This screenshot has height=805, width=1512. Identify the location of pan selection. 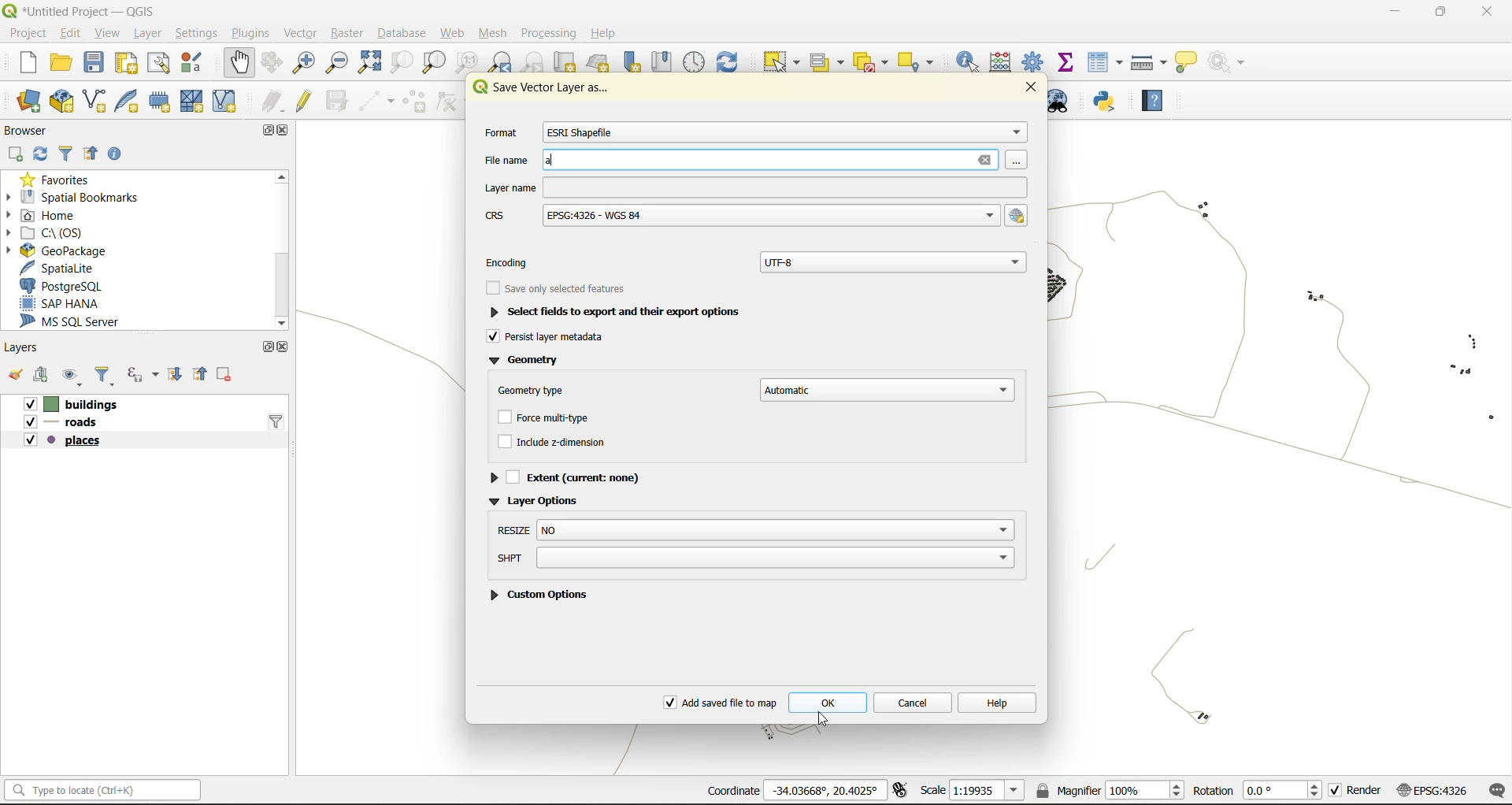
(275, 62).